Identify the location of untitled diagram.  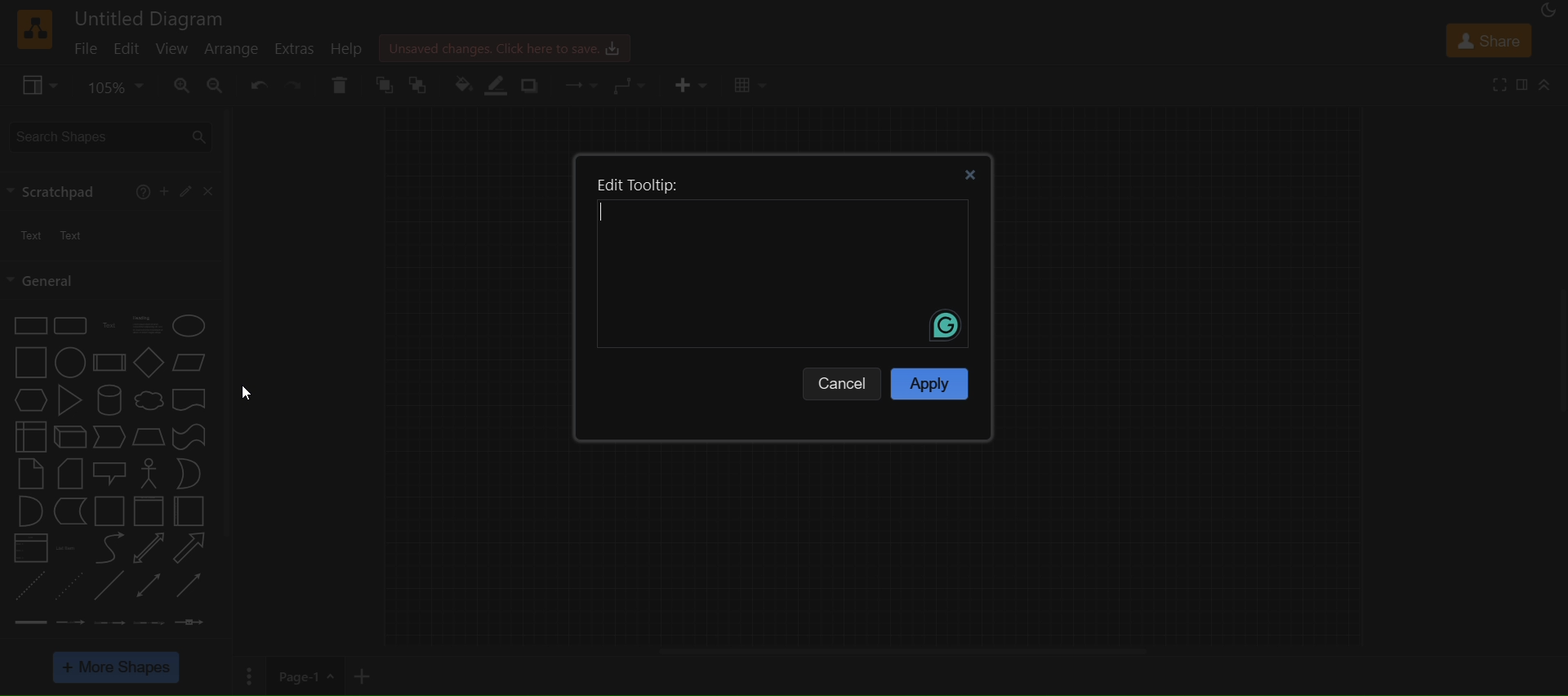
(153, 16).